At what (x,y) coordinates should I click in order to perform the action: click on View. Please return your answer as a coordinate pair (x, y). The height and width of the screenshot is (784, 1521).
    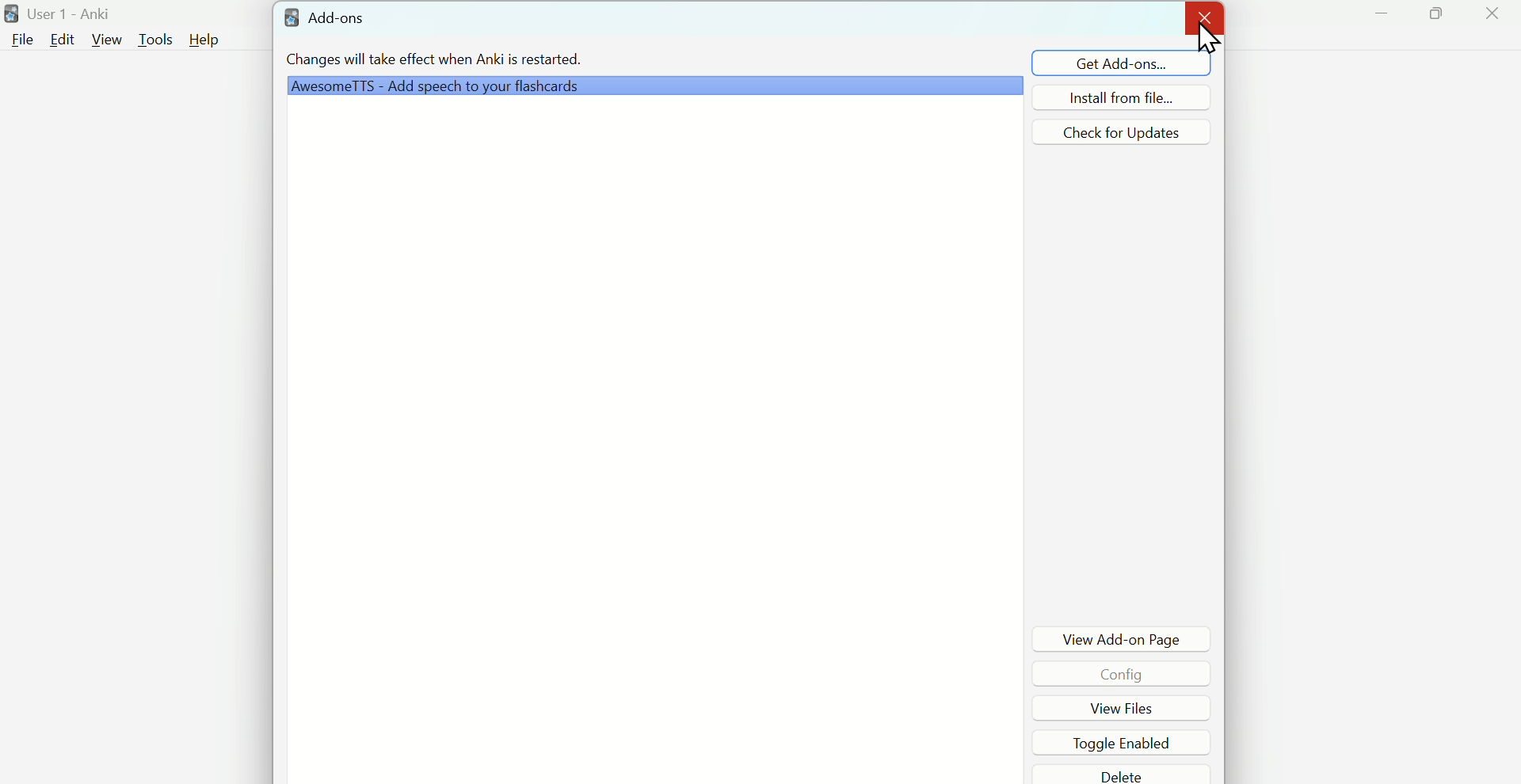
    Looking at the image, I should click on (105, 43).